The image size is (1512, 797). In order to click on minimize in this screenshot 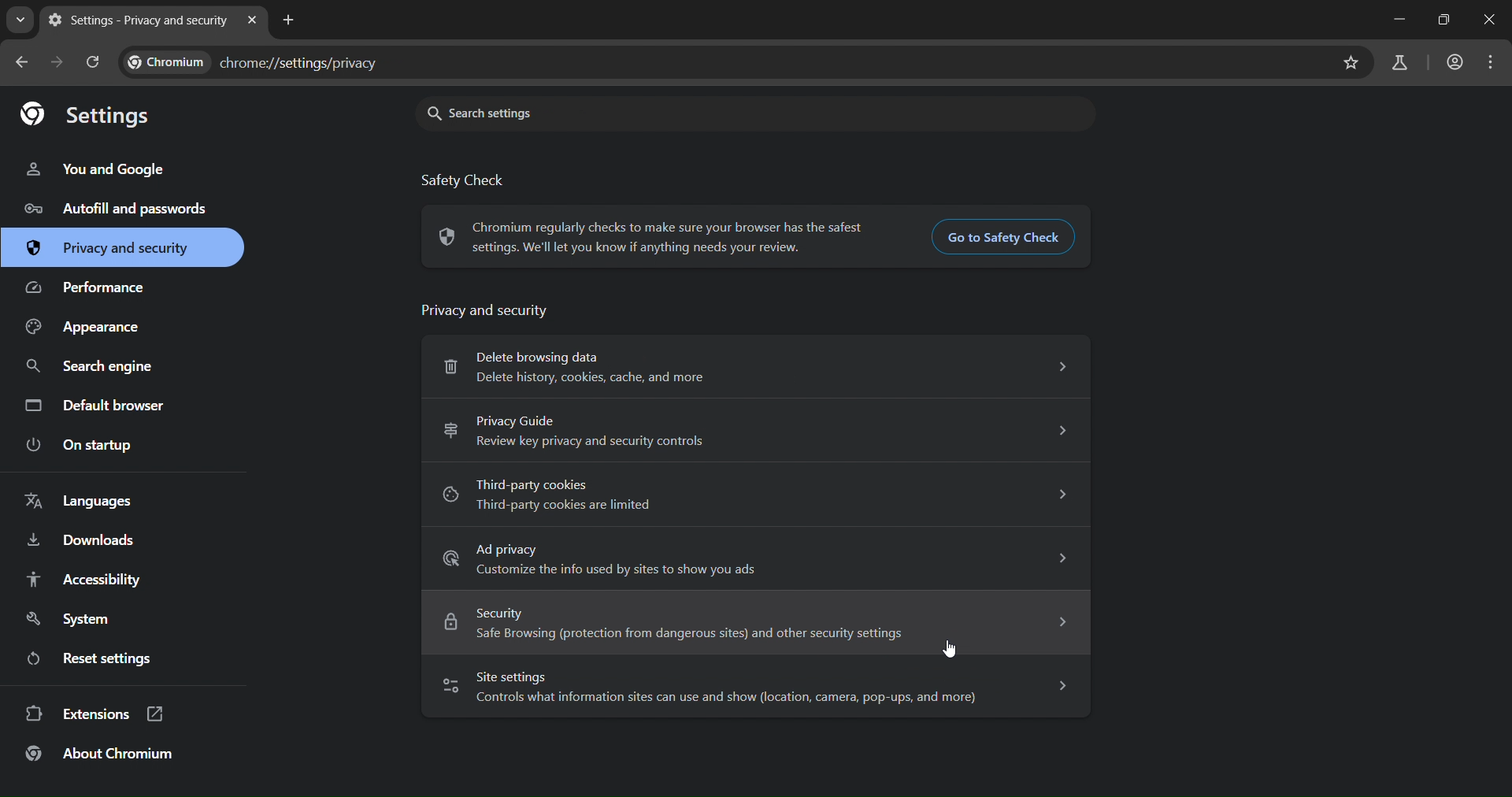, I will do `click(1394, 21)`.